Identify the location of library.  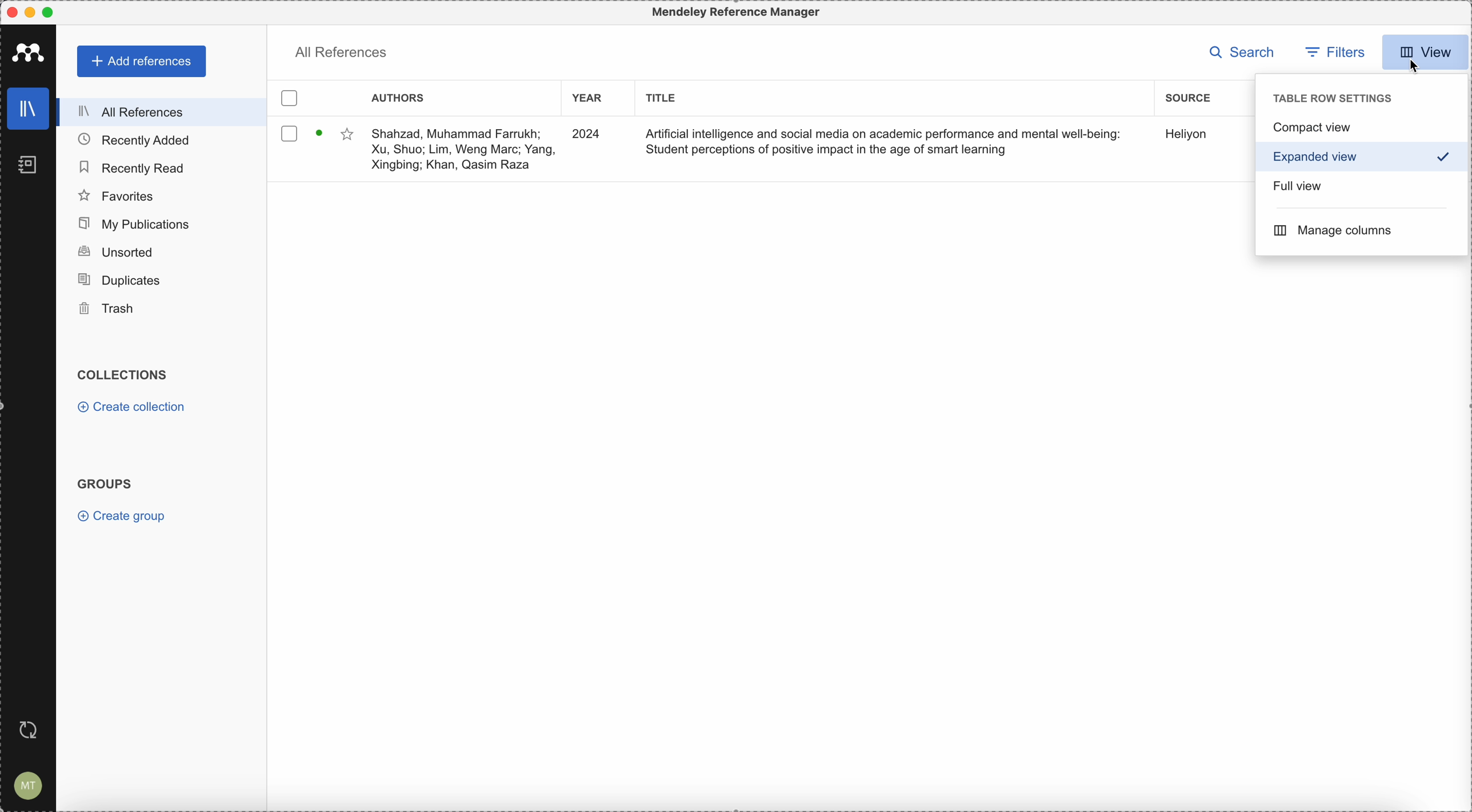
(29, 109).